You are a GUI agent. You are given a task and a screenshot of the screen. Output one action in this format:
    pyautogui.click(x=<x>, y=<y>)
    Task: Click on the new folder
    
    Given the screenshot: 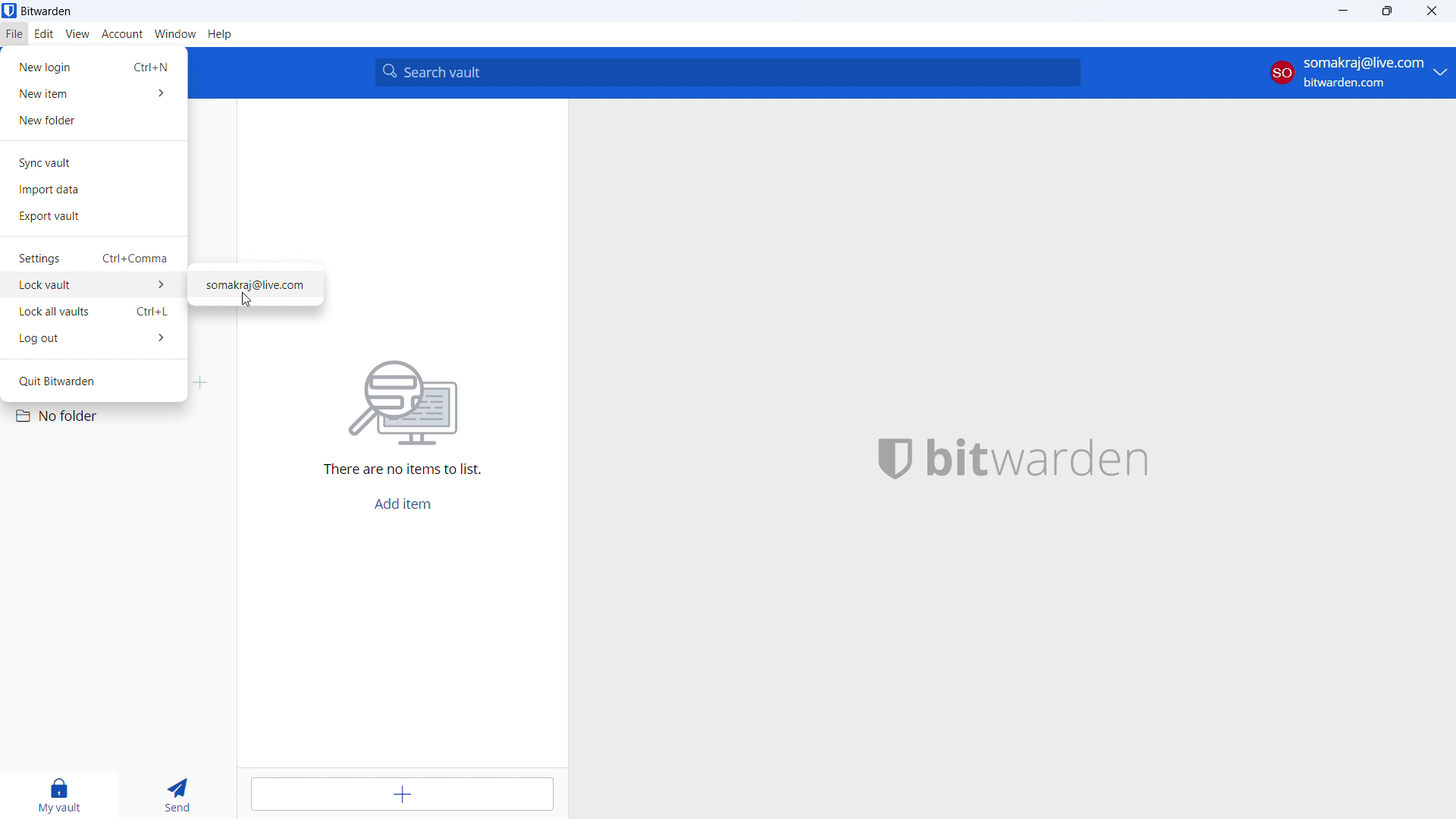 What is the action you would take?
    pyautogui.click(x=96, y=121)
    